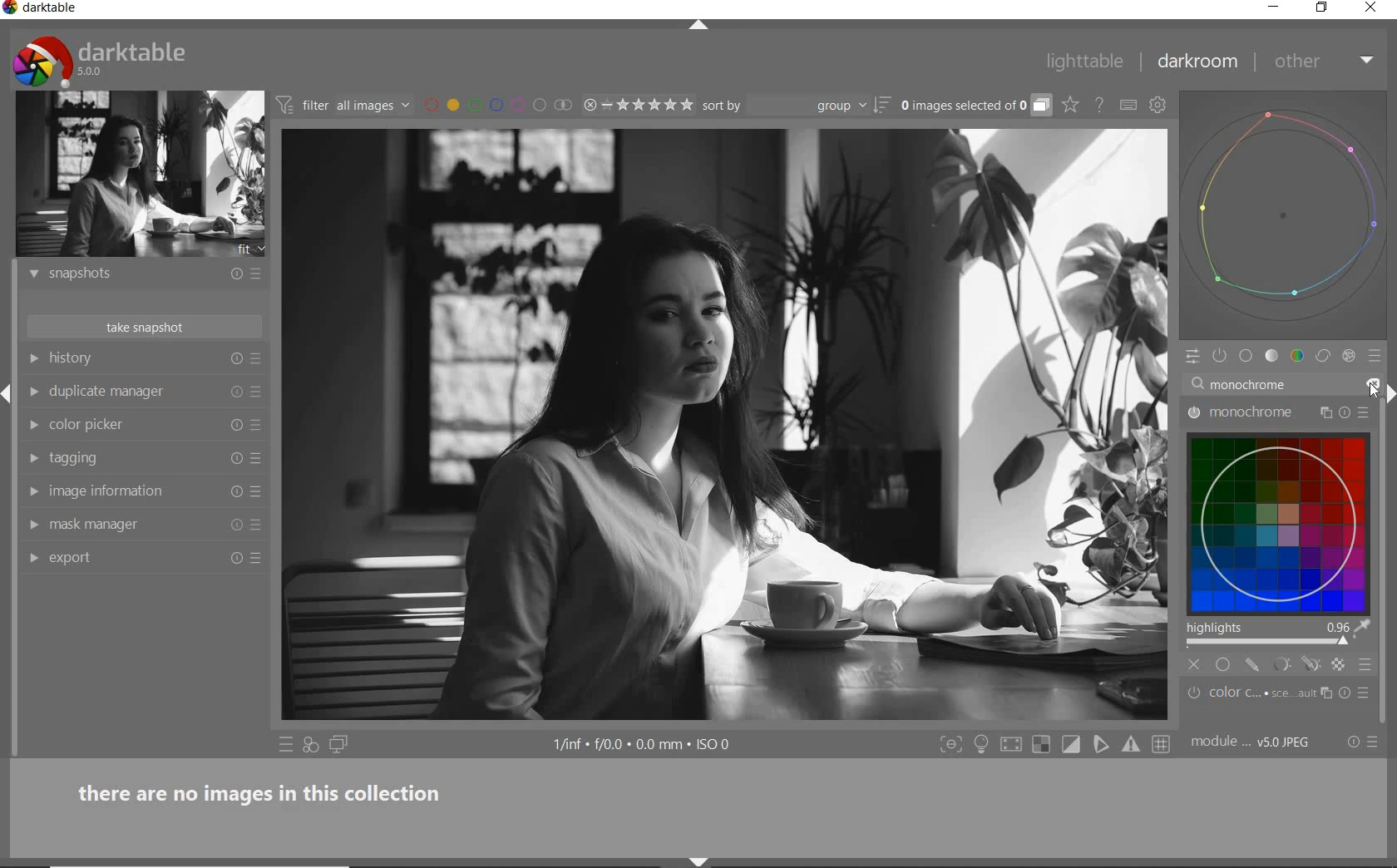 This screenshot has width=1397, height=868. I want to click on quick access for applying any of your styles, so click(312, 746).